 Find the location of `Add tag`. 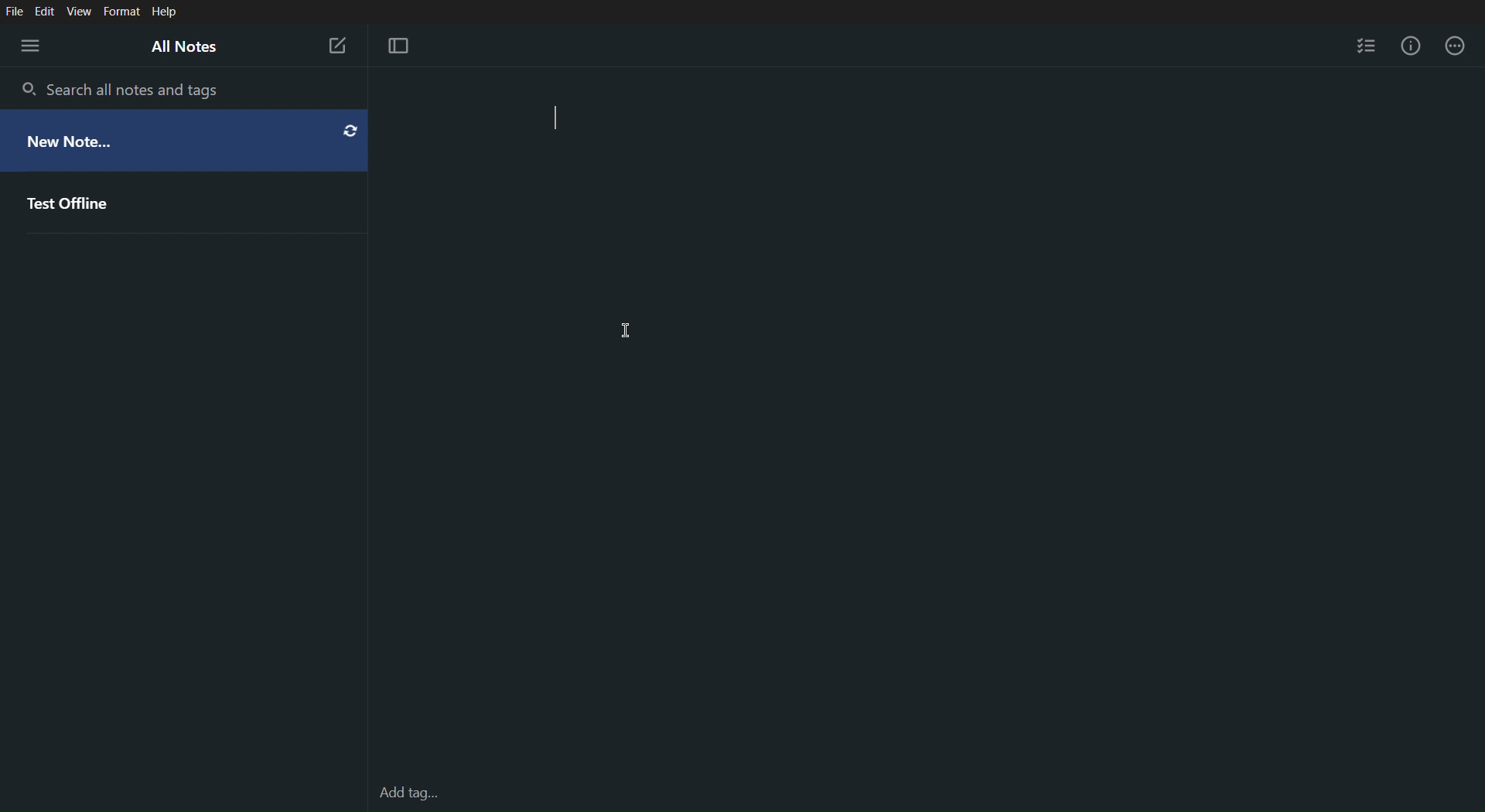

Add tag is located at coordinates (405, 793).